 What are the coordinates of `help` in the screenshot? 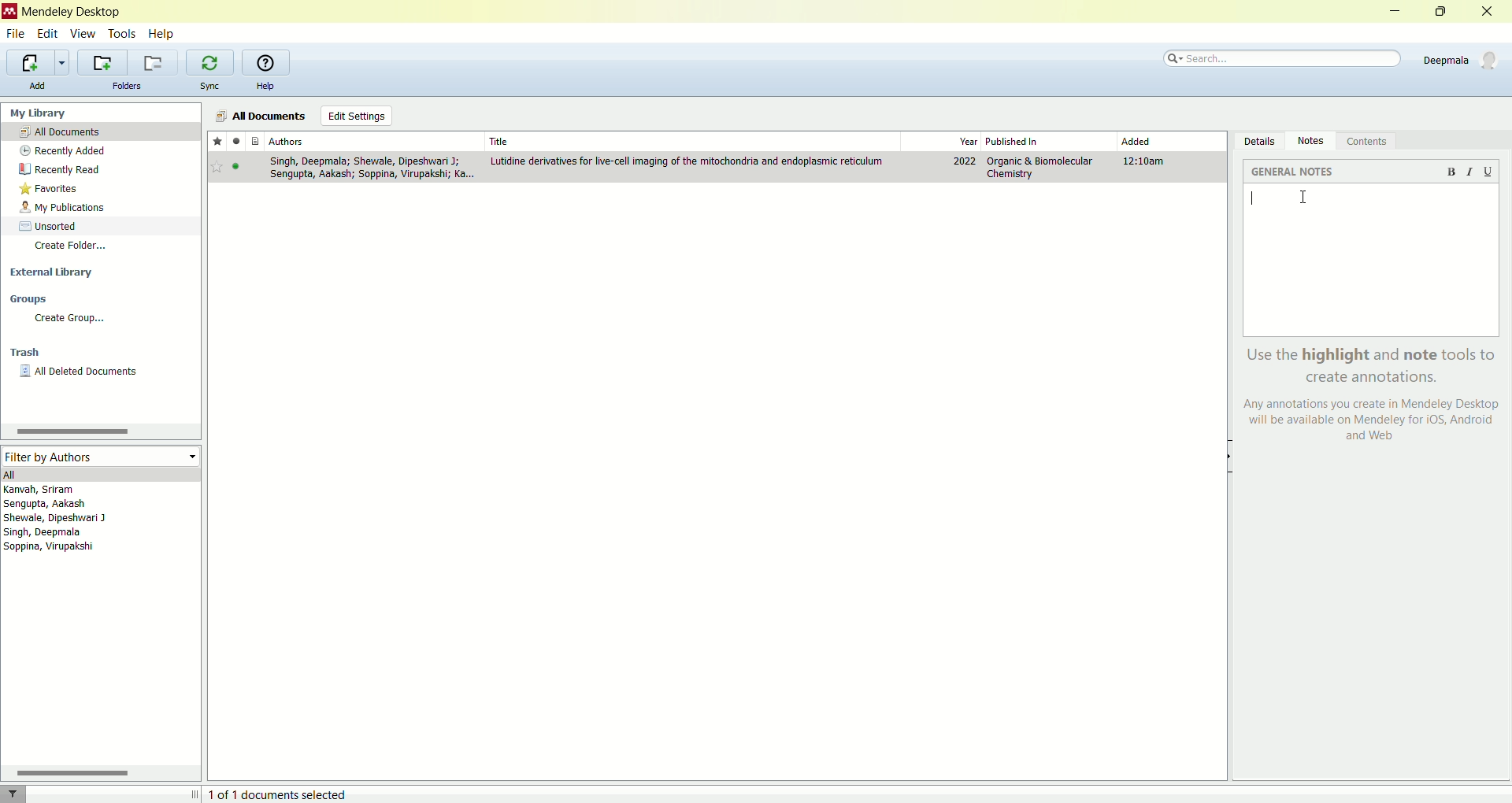 It's located at (164, 35).